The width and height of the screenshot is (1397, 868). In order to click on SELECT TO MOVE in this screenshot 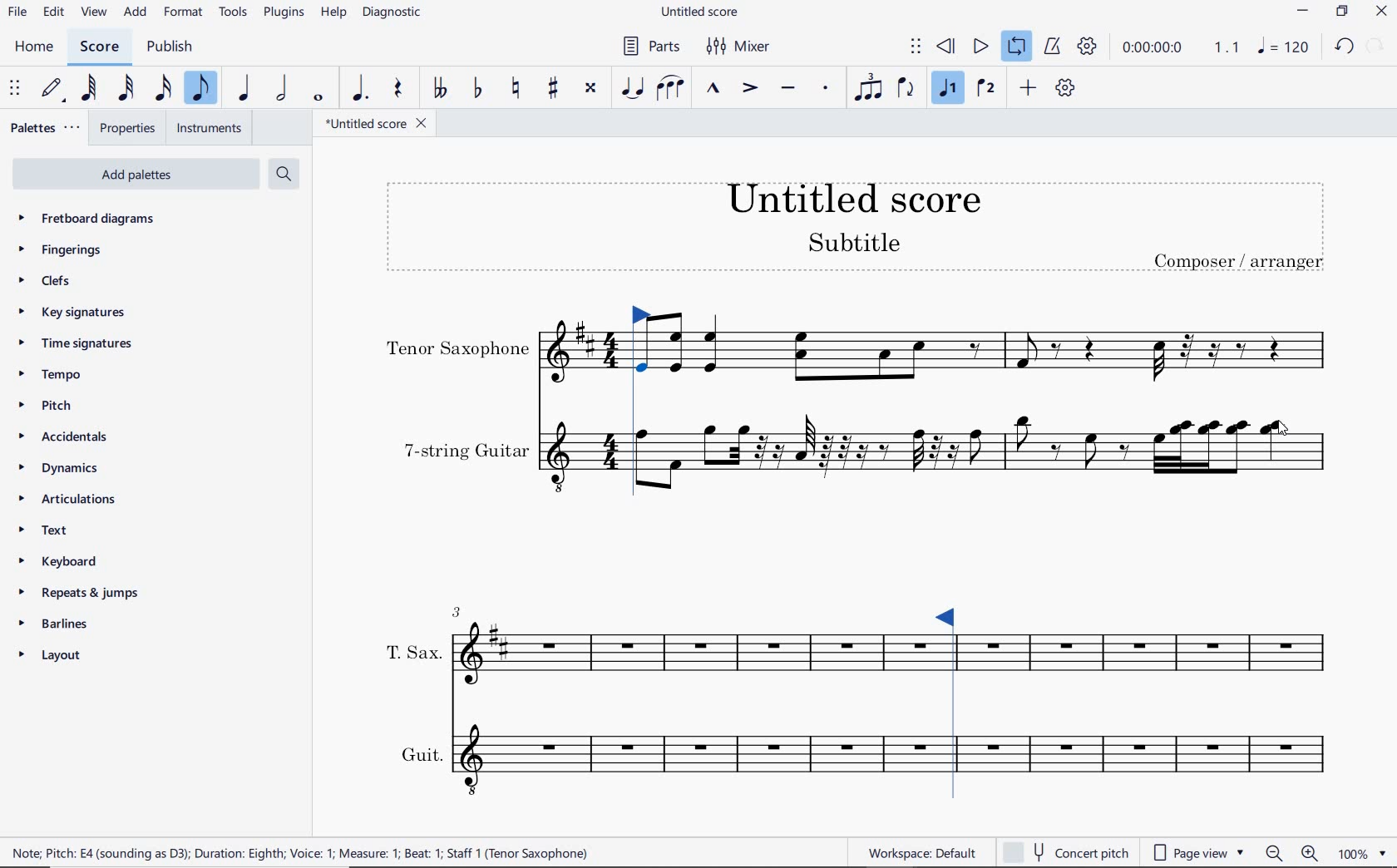, I will do `click(916, 45)`.